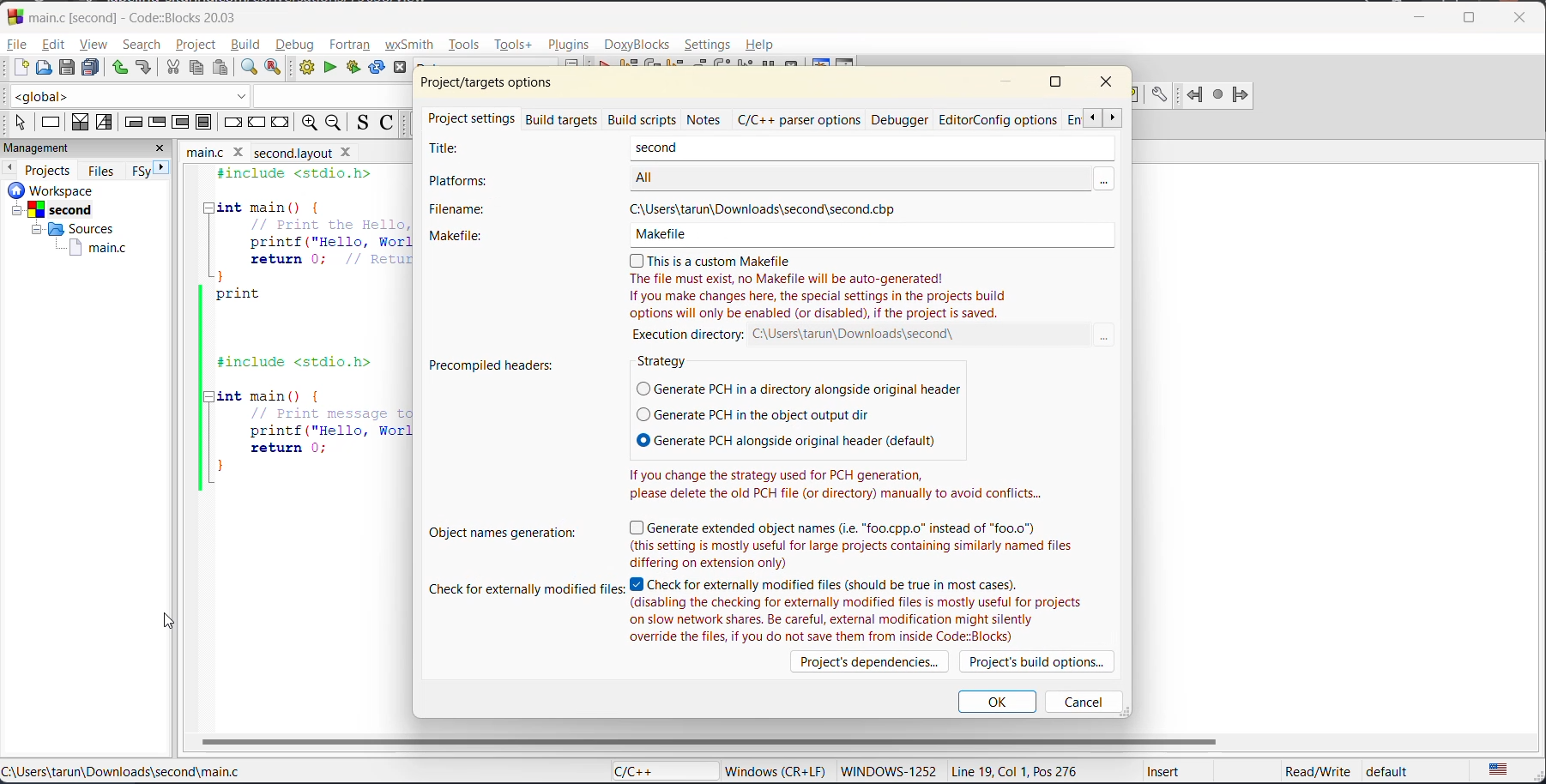 Image resolution: width=1546 pixels, height=784 pixels. Describe the element at coordinates (83, 125) in the screenshot. I see `decision` at that location.